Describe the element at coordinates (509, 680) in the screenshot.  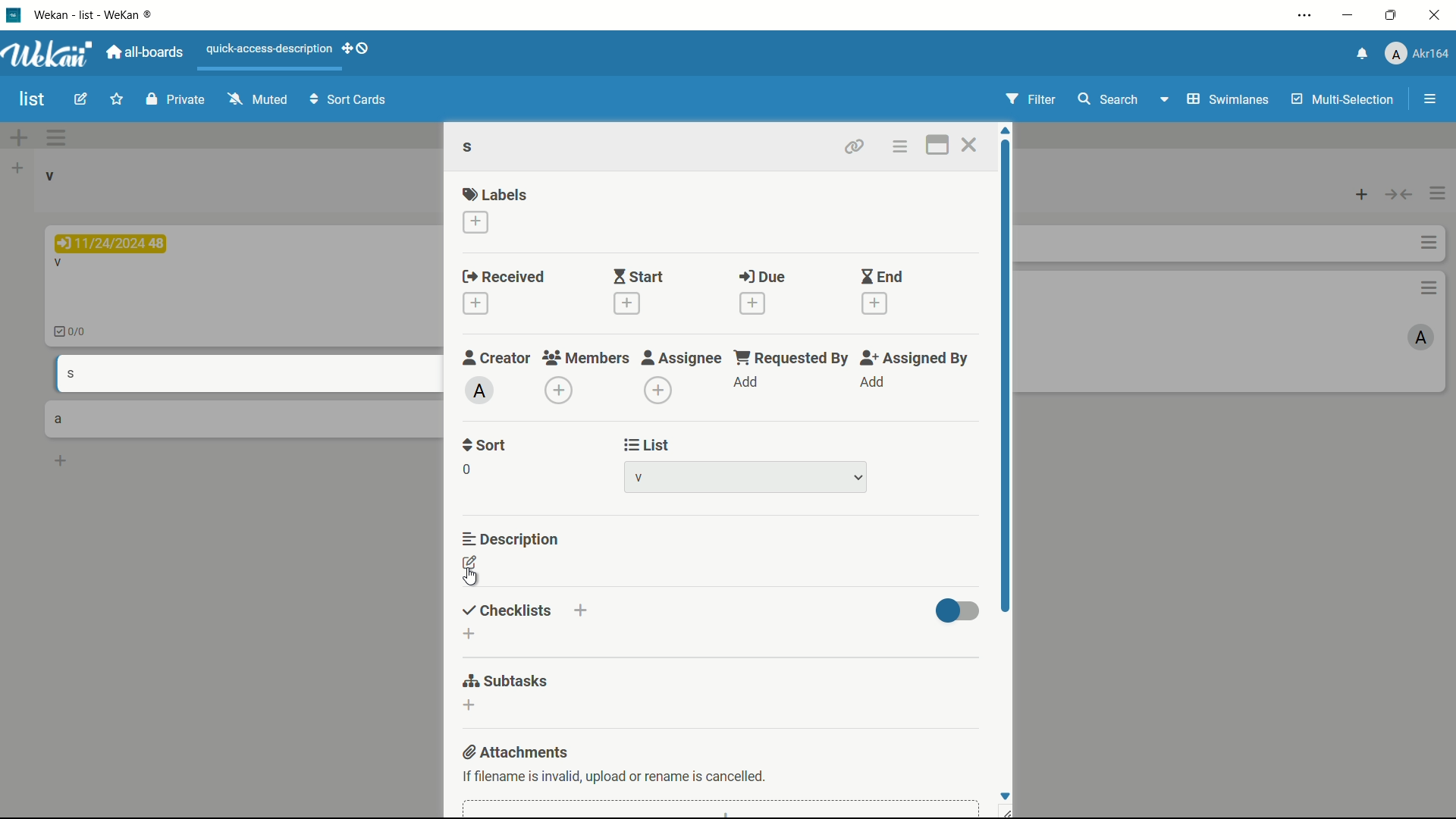
I see `subtasks` at that location.